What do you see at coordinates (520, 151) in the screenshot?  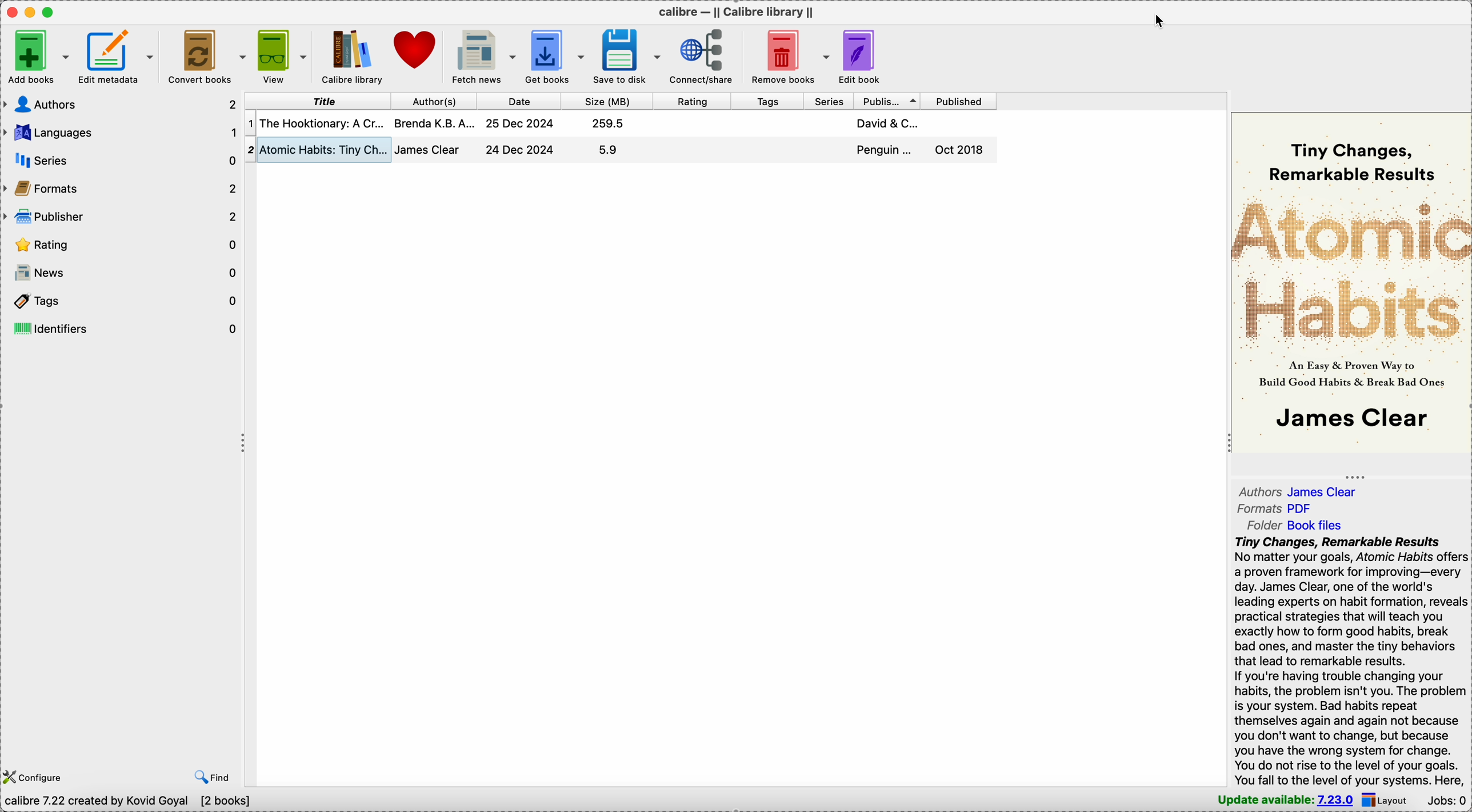 I see `25 Dec 2024` at bounding box center [520, 151].